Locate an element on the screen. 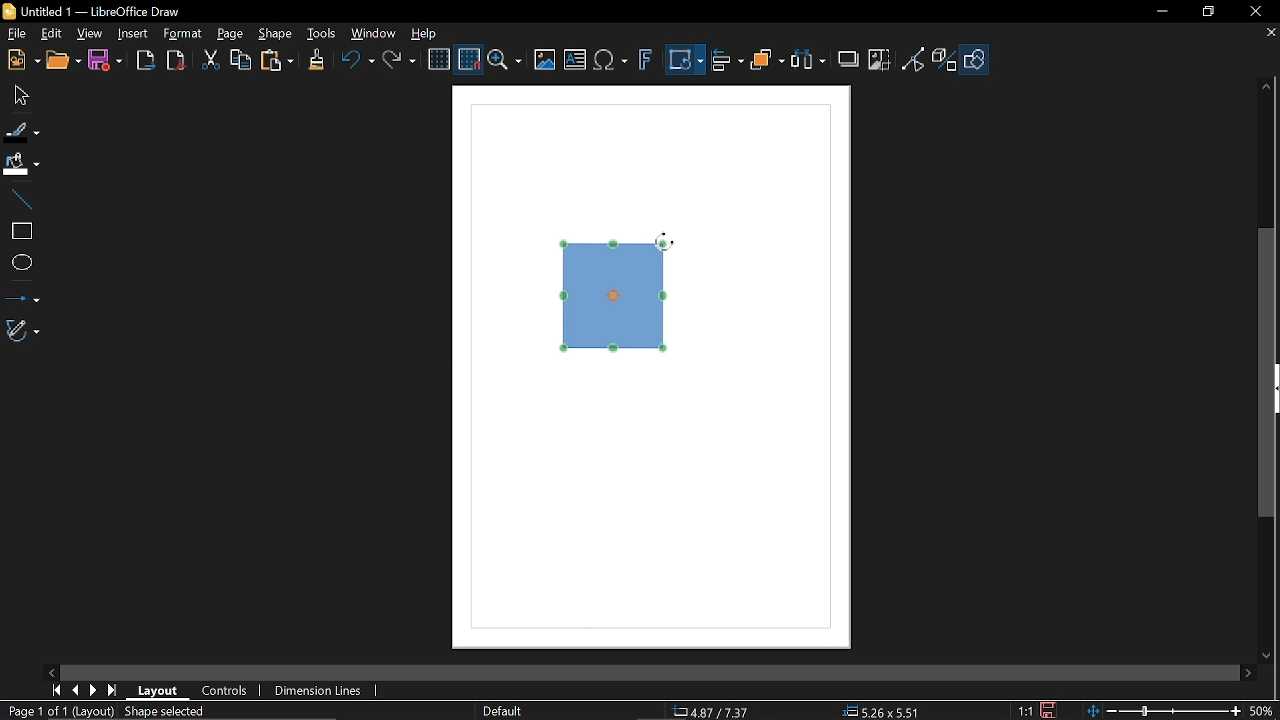  insert fontwork is located at coordinates (643, 60).